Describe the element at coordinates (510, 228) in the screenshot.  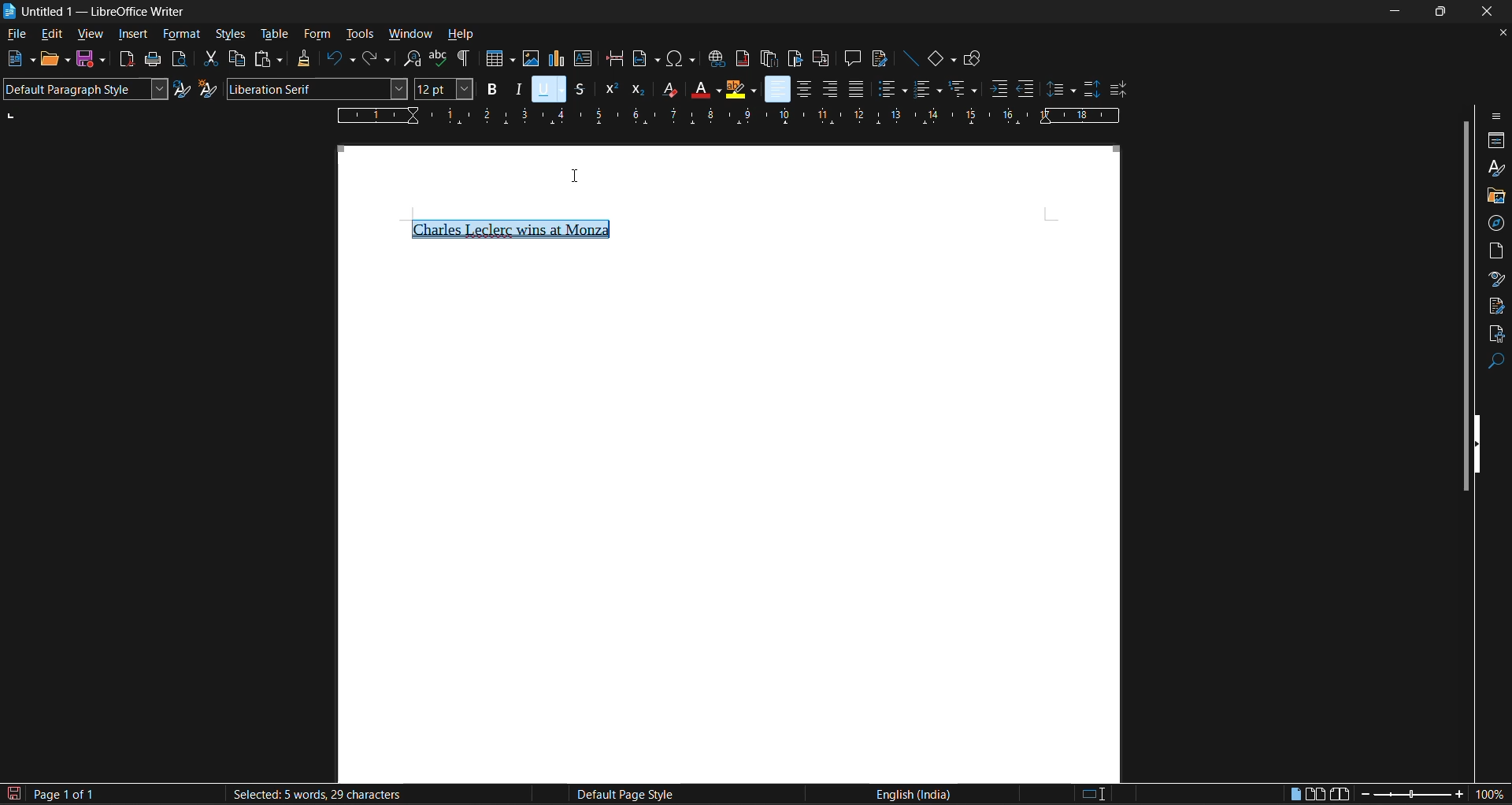
I see `double underlined text` at that location.